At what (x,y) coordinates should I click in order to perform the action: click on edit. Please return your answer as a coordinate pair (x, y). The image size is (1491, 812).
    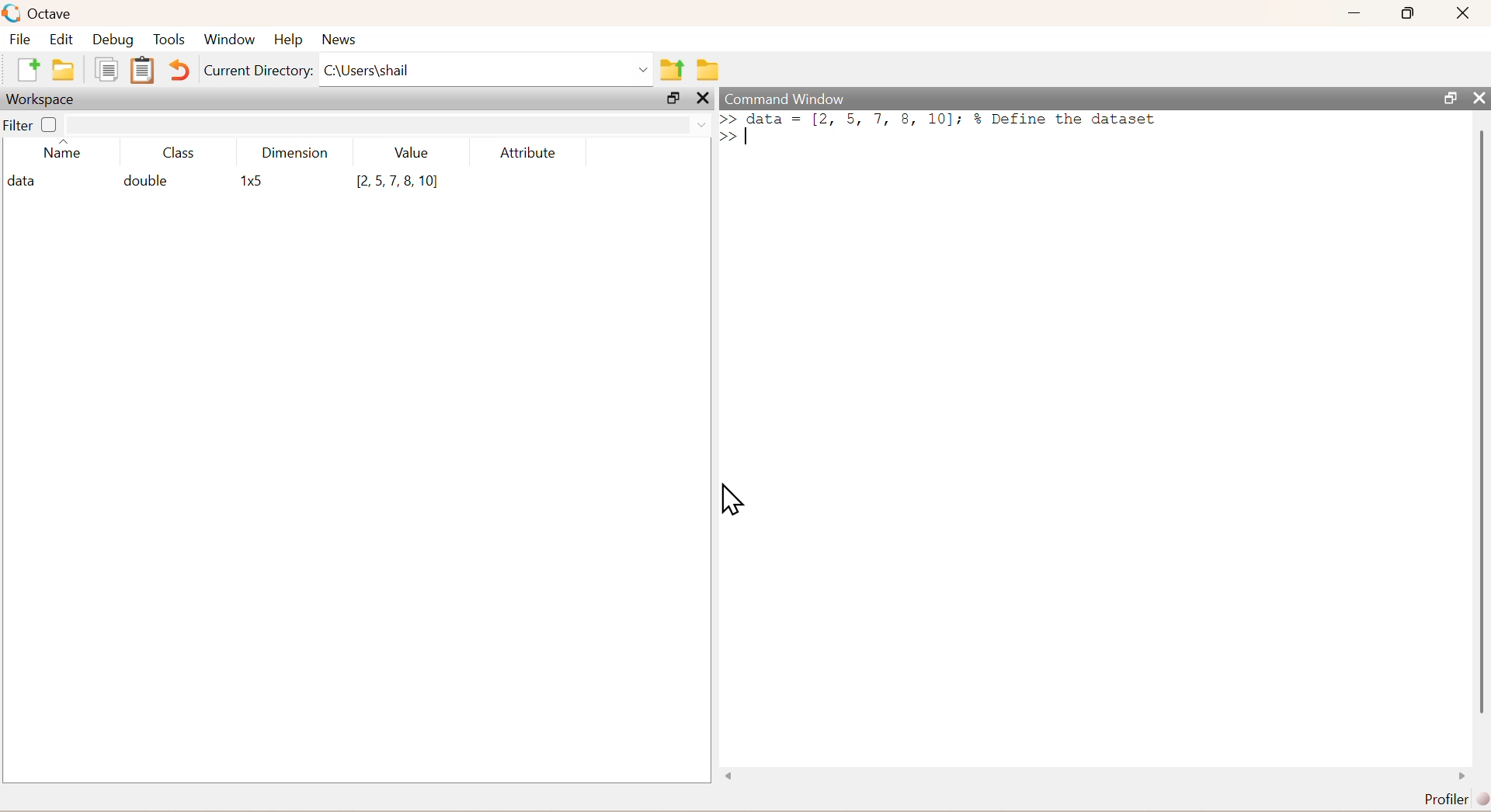
    Looking at the image, I should click on (62, 39).